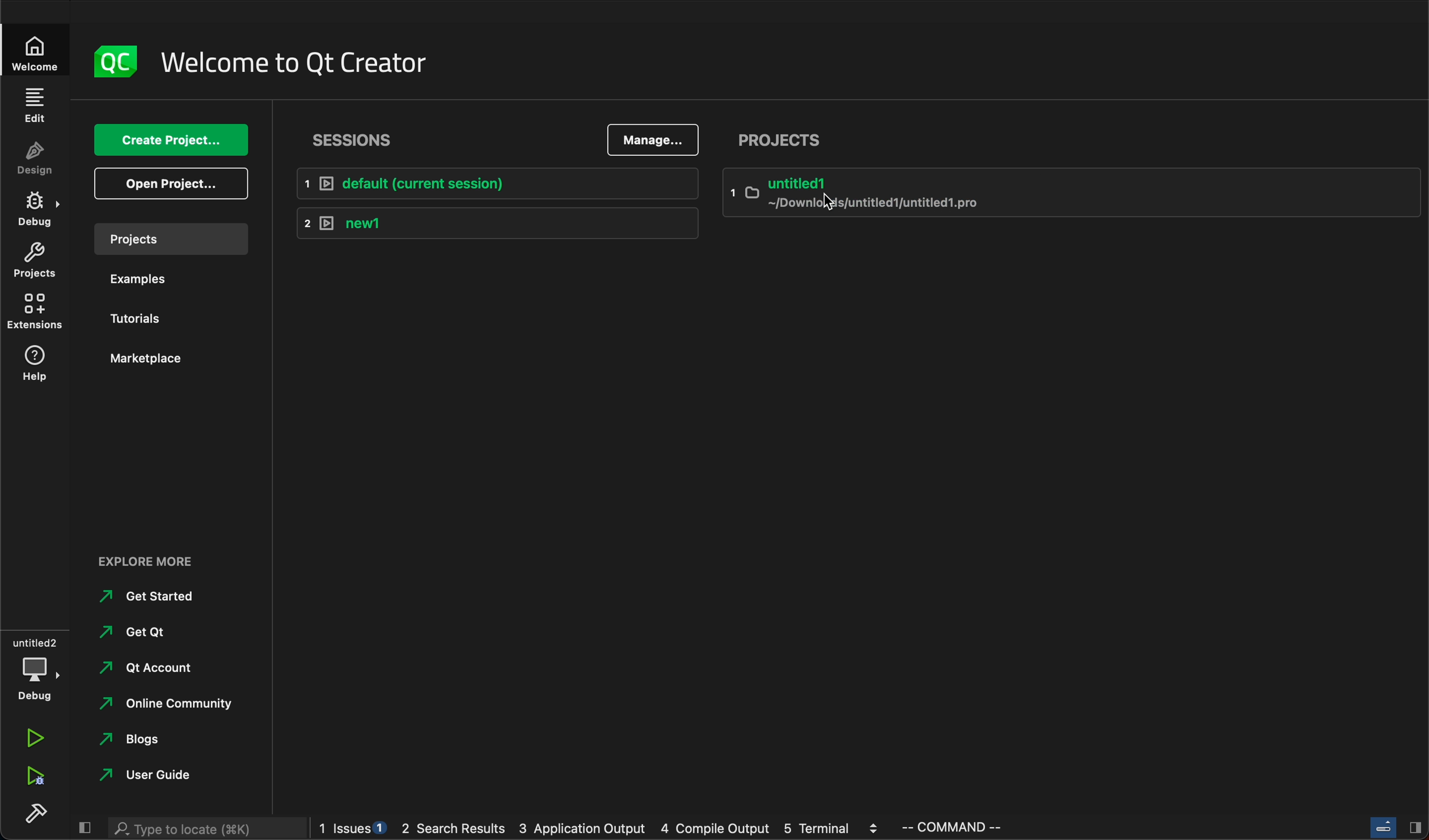  I want to click on Default session, so click(501, 183).